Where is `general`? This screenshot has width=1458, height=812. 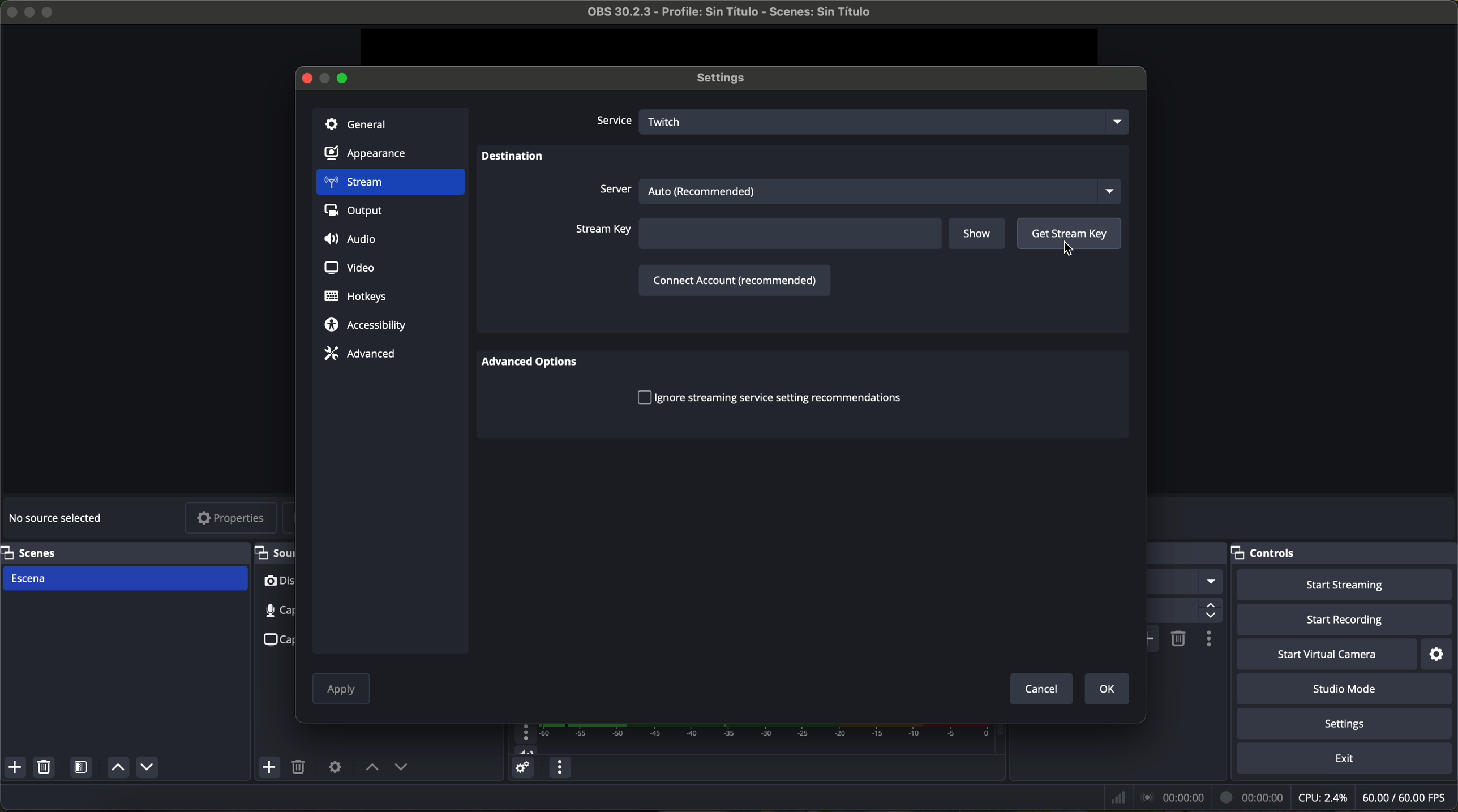 general is located at coordinates (390, 123).